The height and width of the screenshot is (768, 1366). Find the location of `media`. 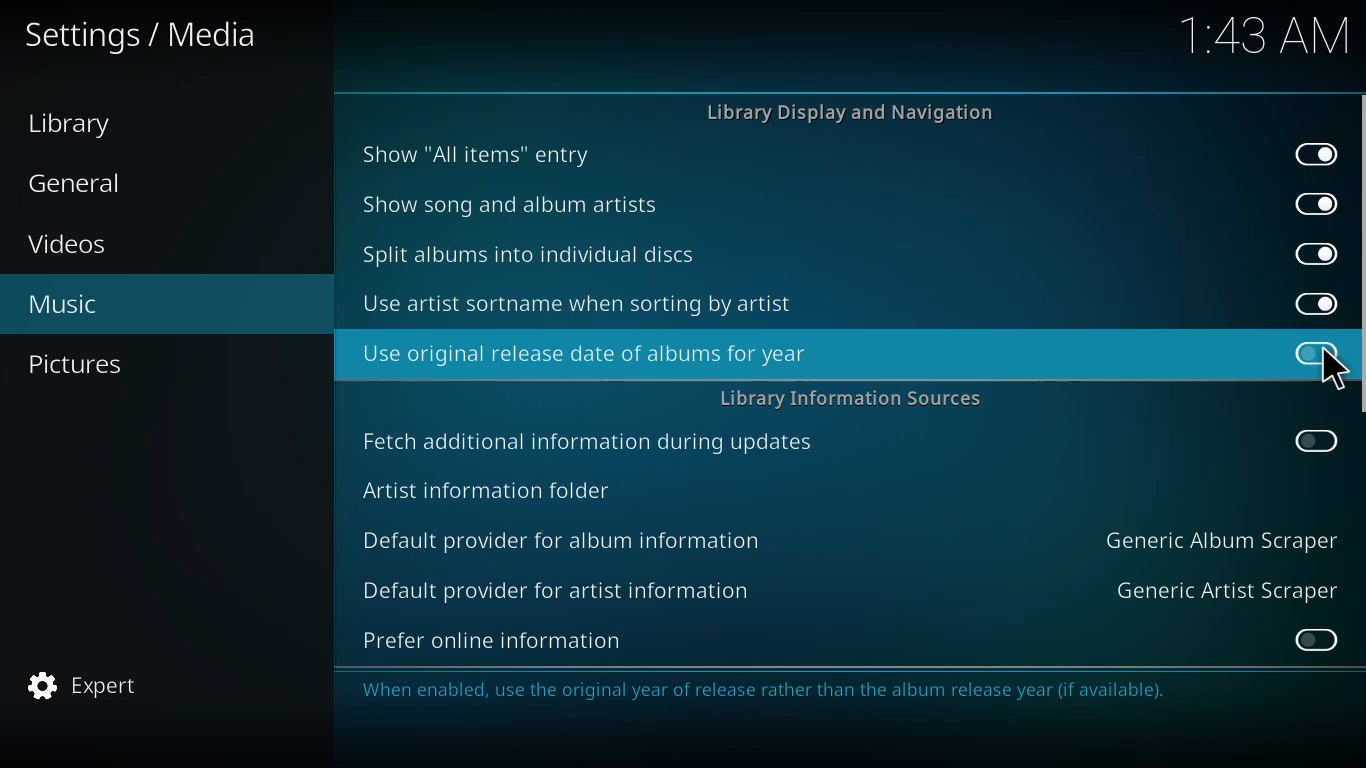

media is located at coordinates (140, 35).